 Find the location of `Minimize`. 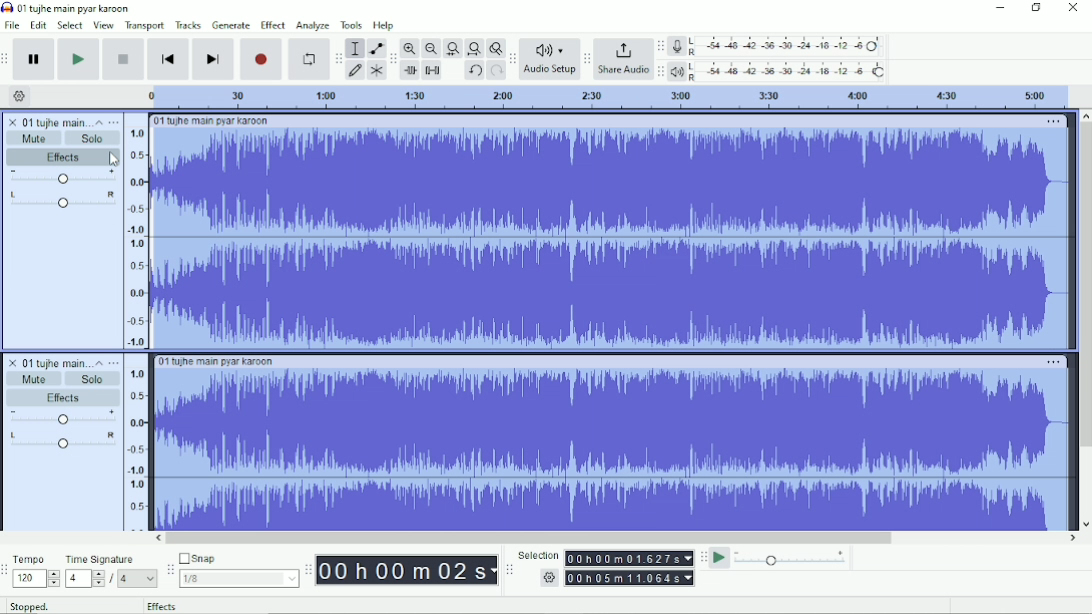

Minimize is located at coordinates (998, 8).